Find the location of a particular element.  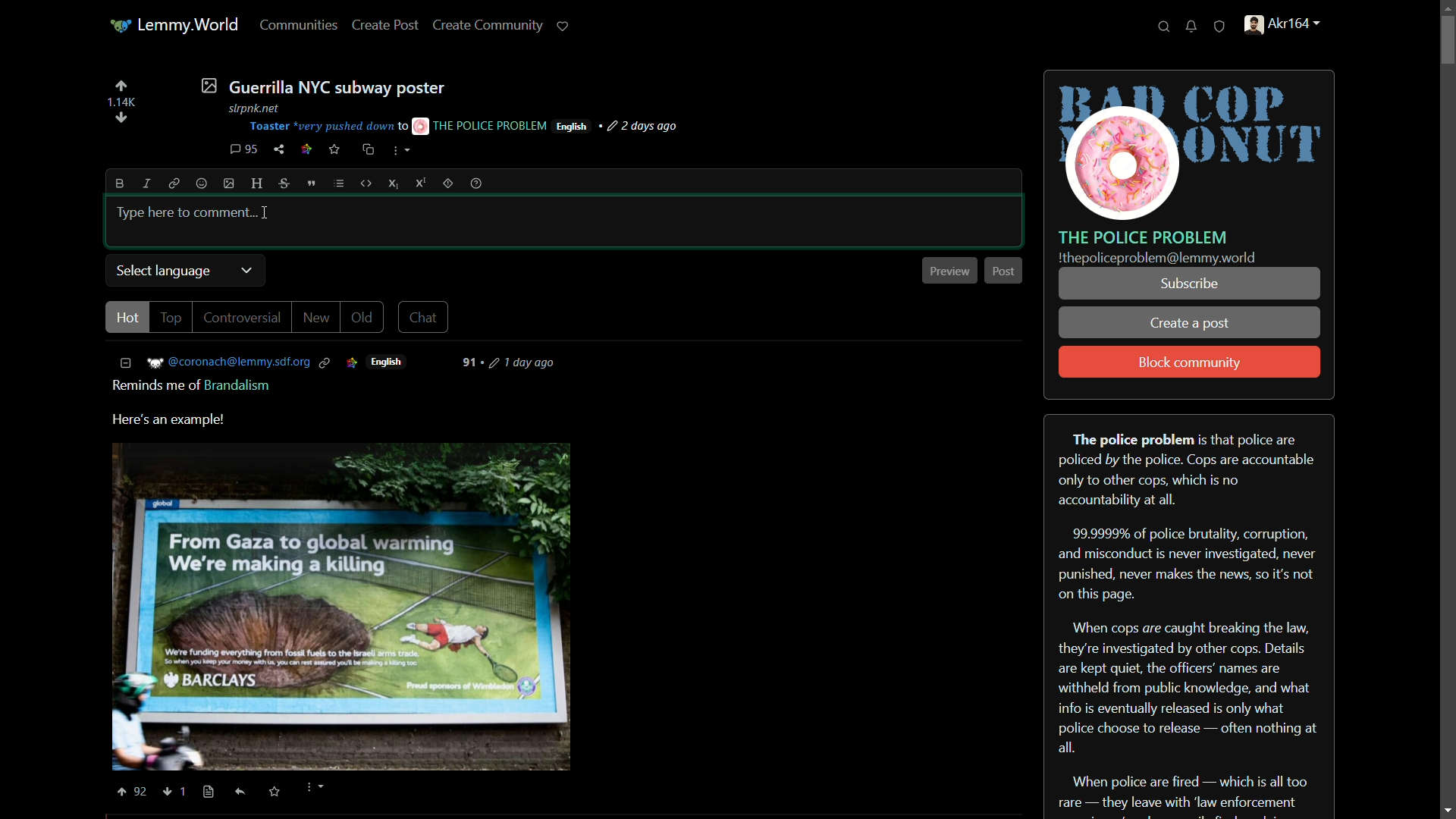

chat is located at coordinates (422, 318).